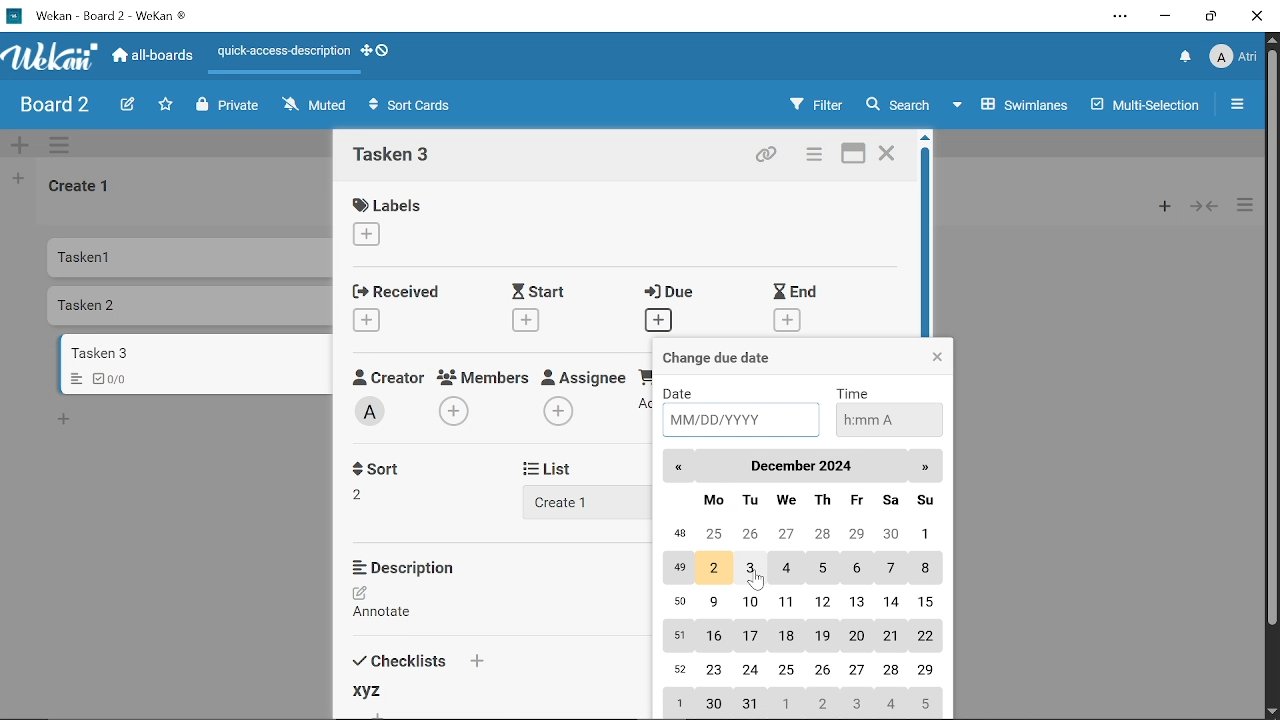 This screenshot has height=720, width=1280. What do you see at coordinates (117, 379) in the screenshot?
I see `Checklist` at bounding box center [117, 379].